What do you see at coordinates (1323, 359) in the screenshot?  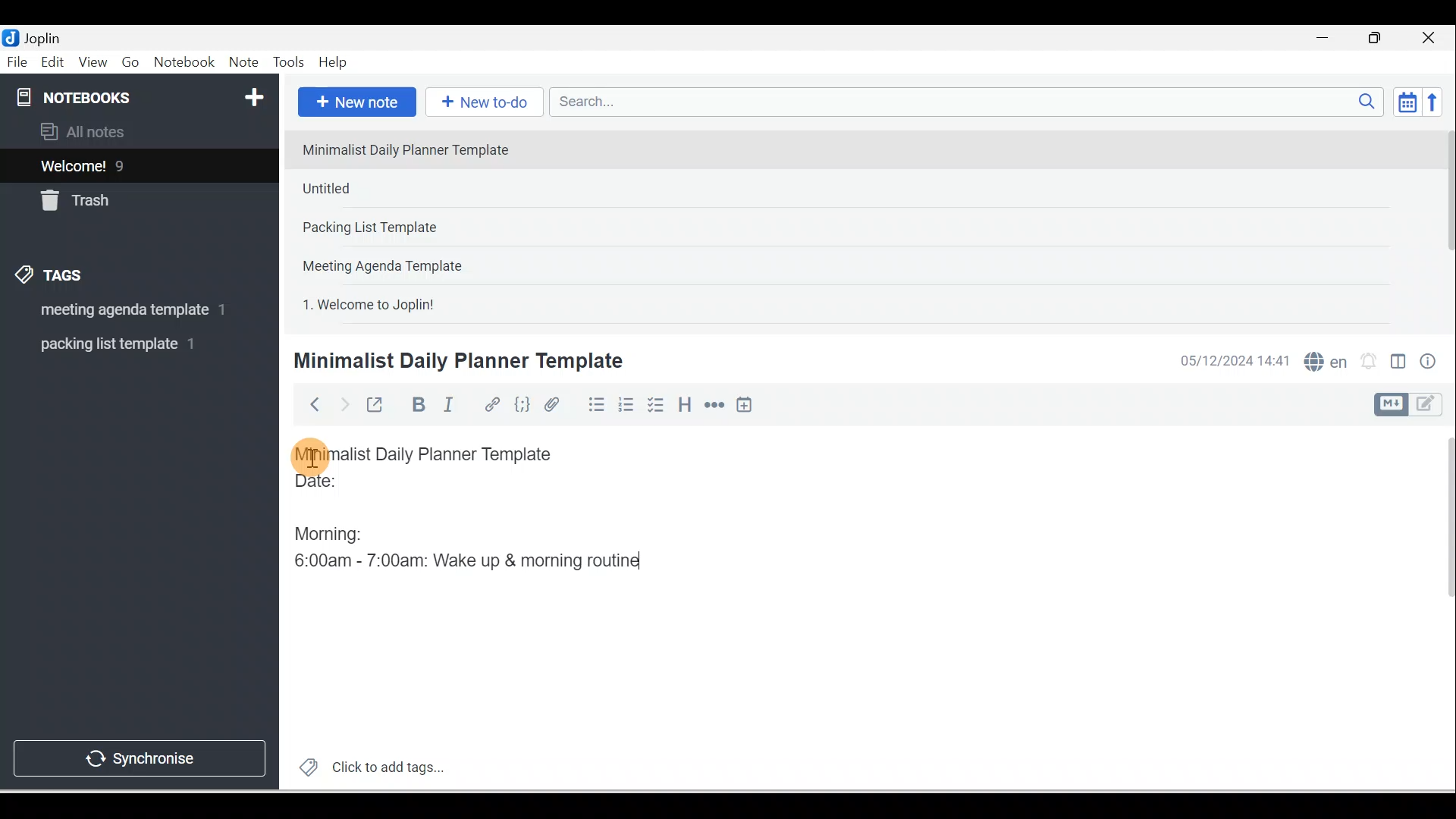 I see `Spelling` at bounding box center [1323, 359].